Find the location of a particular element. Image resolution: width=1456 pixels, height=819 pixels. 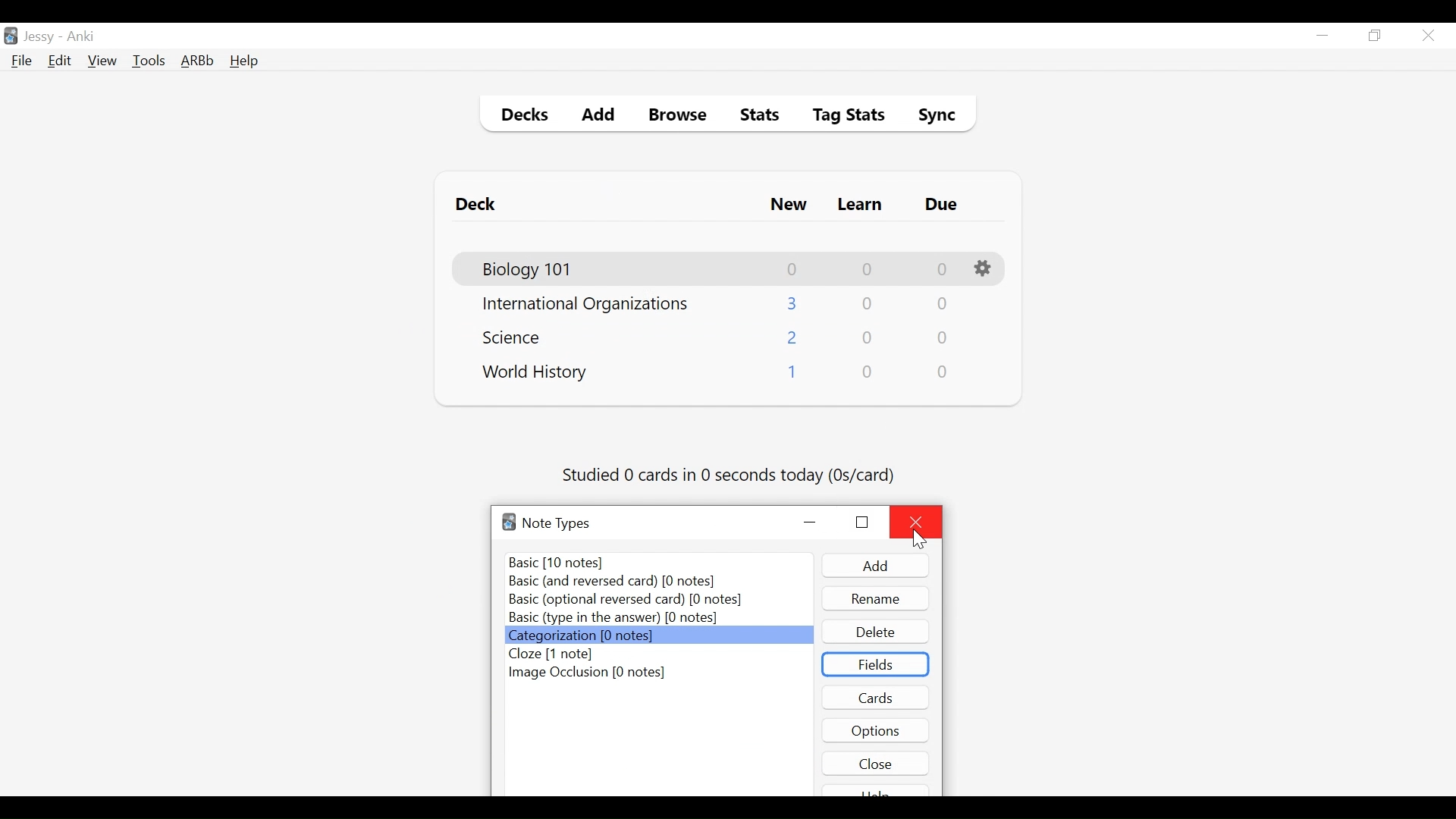

Deck Name is located at coordinates (585, 305).